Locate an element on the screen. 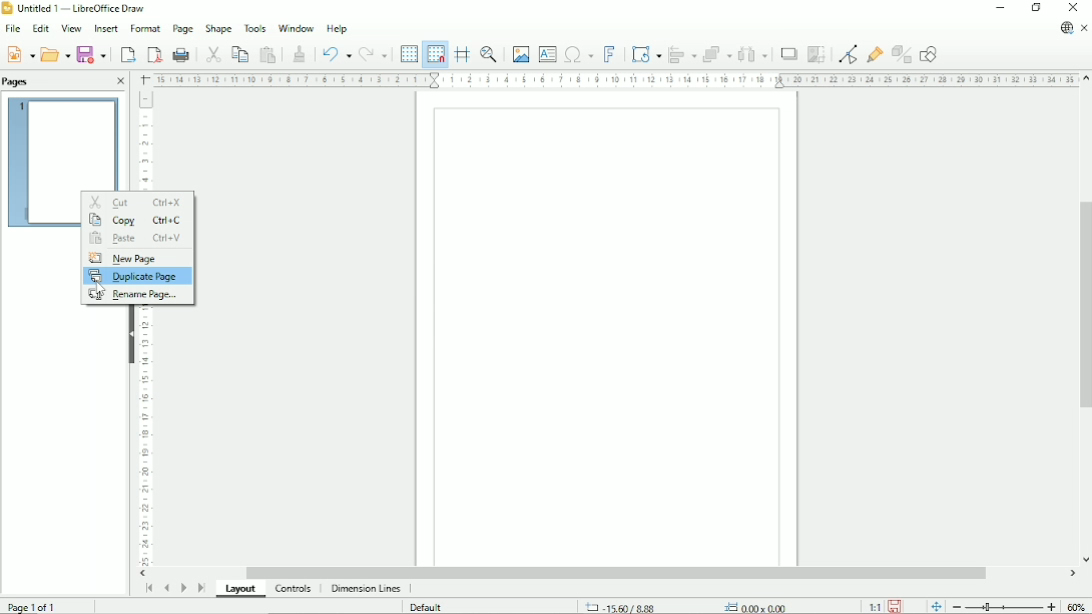 The image size is (1092, 614). Crop image is located at coordinates (816, 54).